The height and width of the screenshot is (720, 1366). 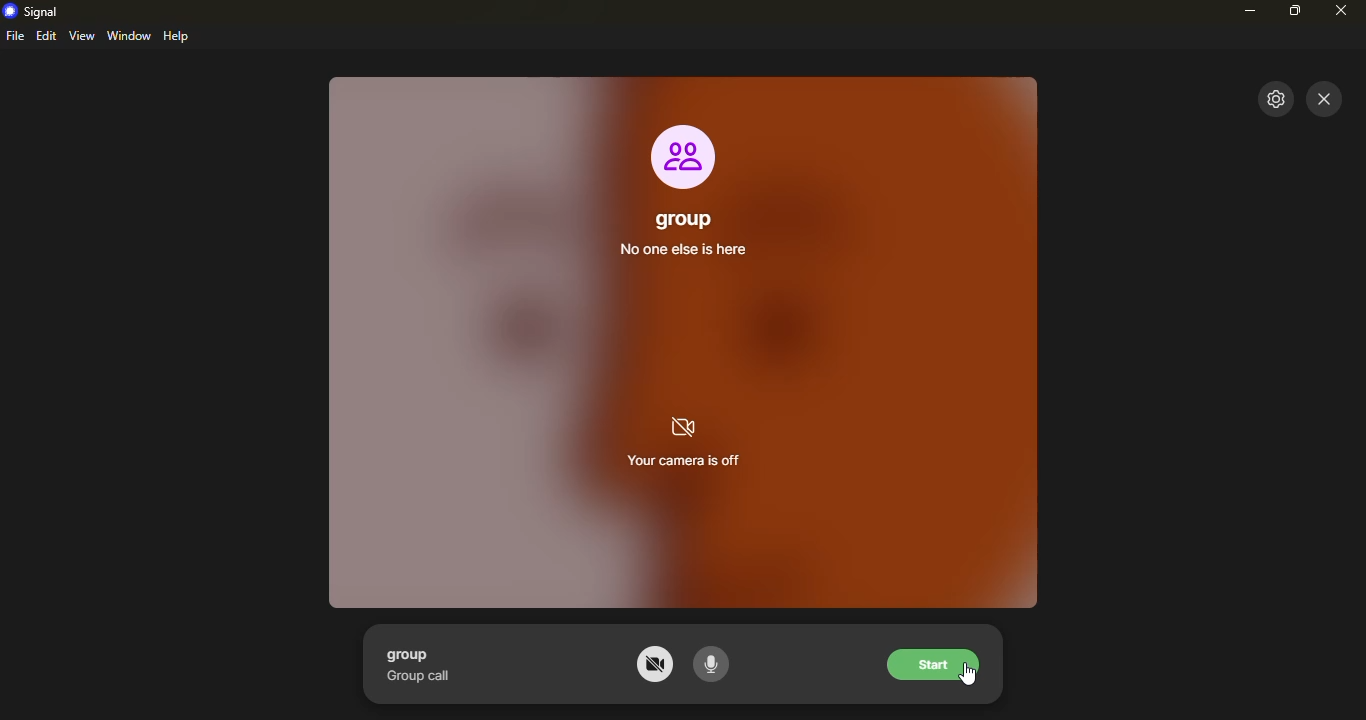 What do you see at coordinates (83, 36) in the screenshot?
I see `view` at bounding box center [83, 36].